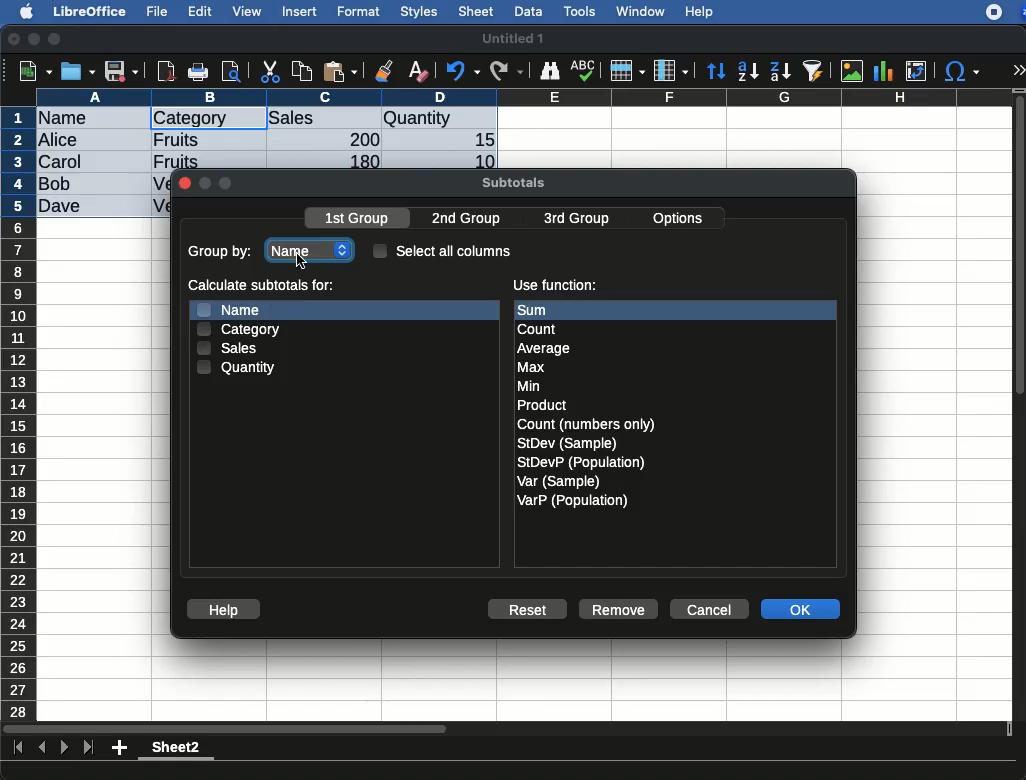 The width and height of the screenshot is (1026, 780). What do you see at coordinates (638, 11) in the screenshot?
I see `window` at bounding box center [638, 11].